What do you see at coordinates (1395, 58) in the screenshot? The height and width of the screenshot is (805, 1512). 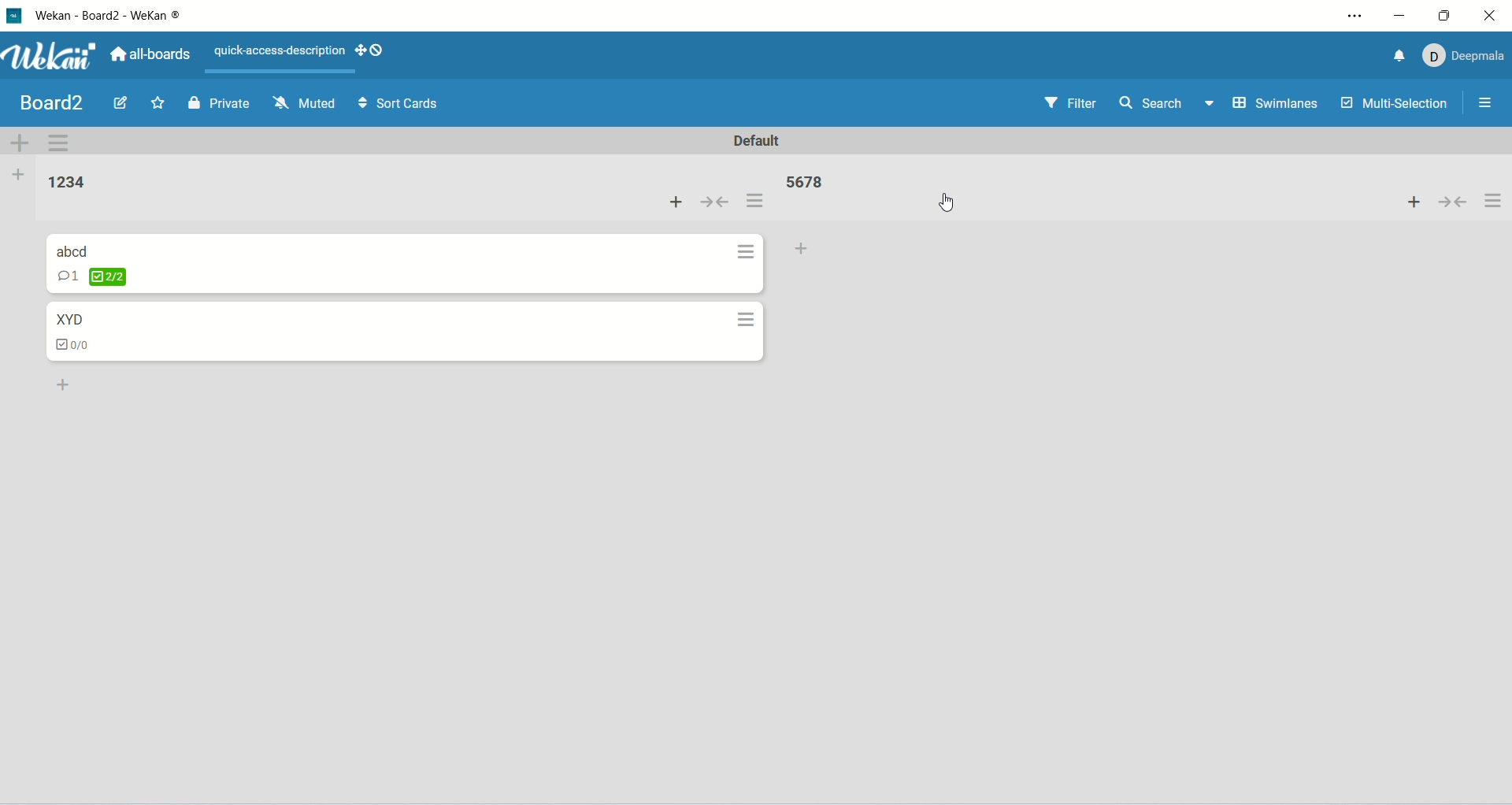 I see `notification` at bounding box center [1395, 58].